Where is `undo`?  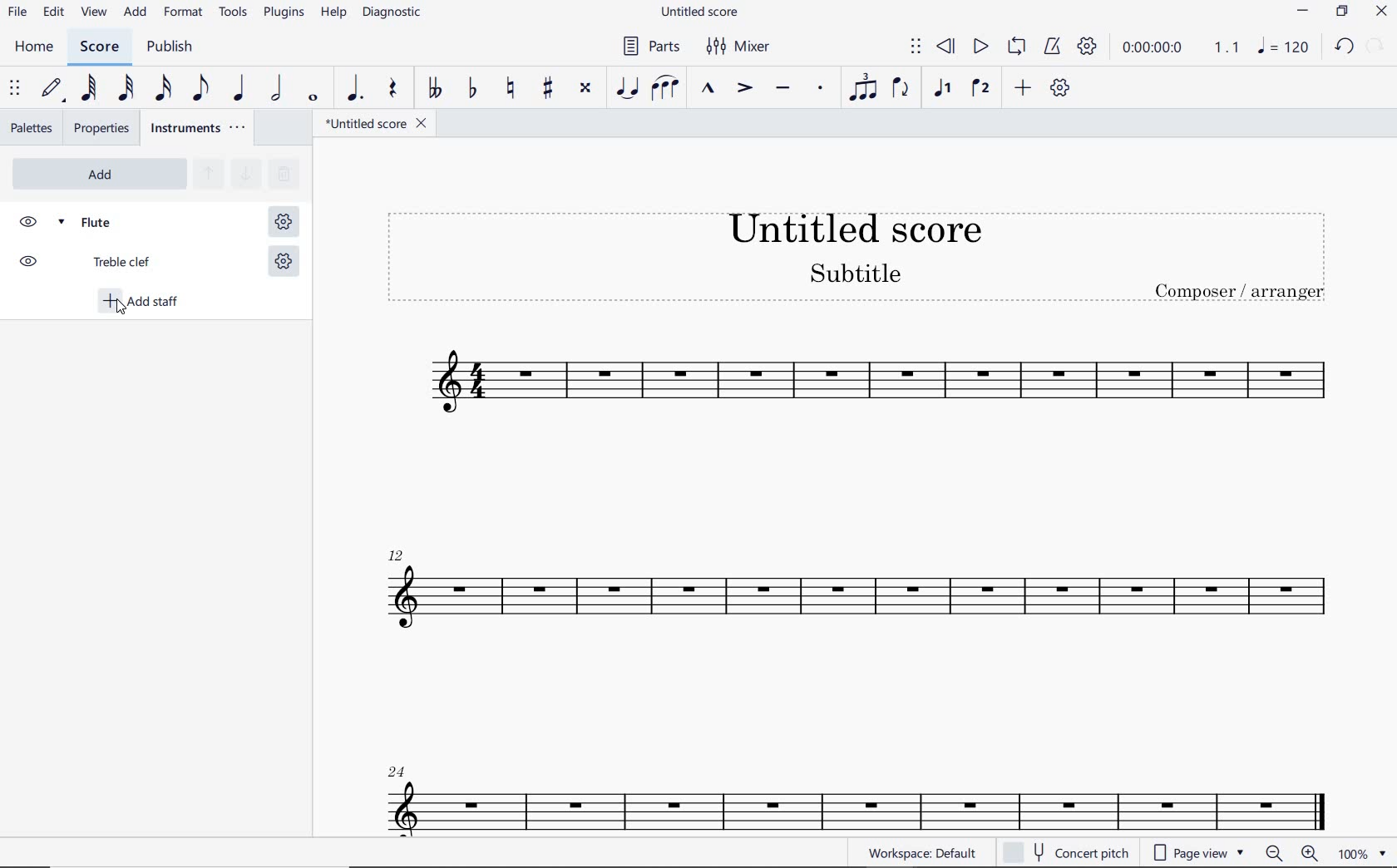 undo is located at coordinates (1345, 47).